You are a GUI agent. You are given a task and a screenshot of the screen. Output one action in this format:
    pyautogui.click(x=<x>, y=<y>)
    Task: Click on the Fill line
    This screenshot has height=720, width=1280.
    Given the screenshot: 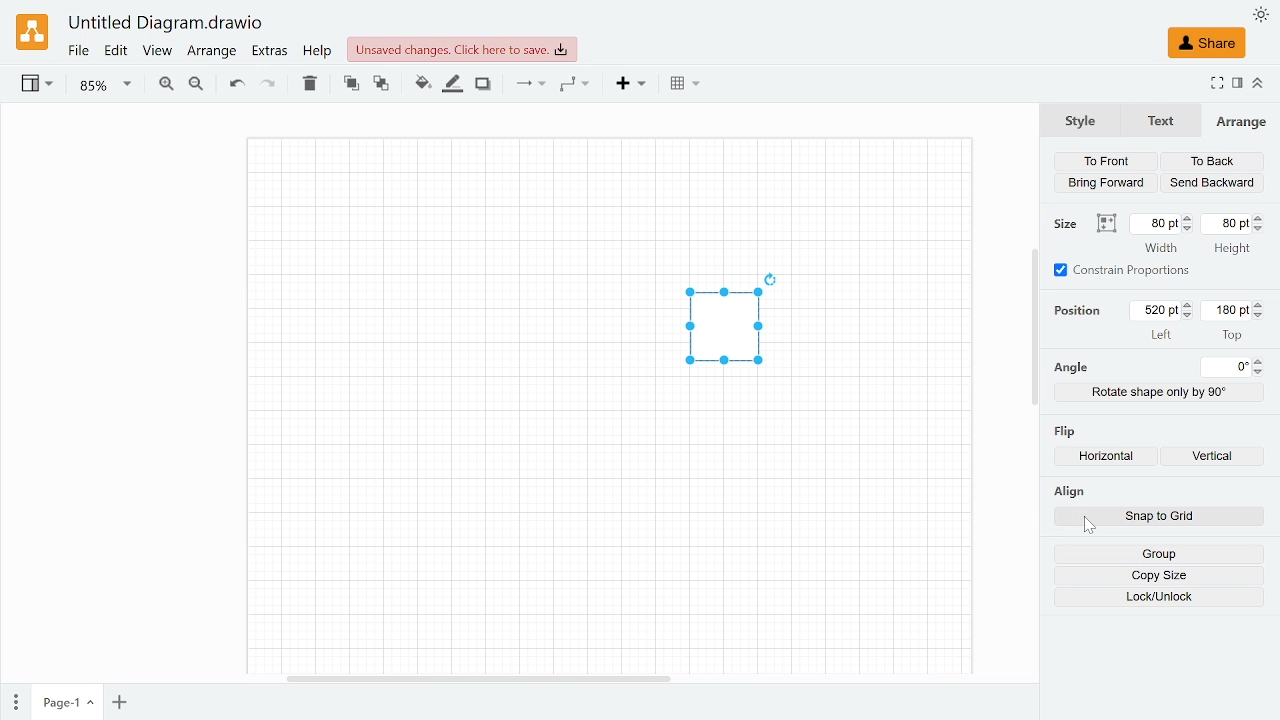 What is the action you would take?
    pyautogui.click(x=454, y=84)
    